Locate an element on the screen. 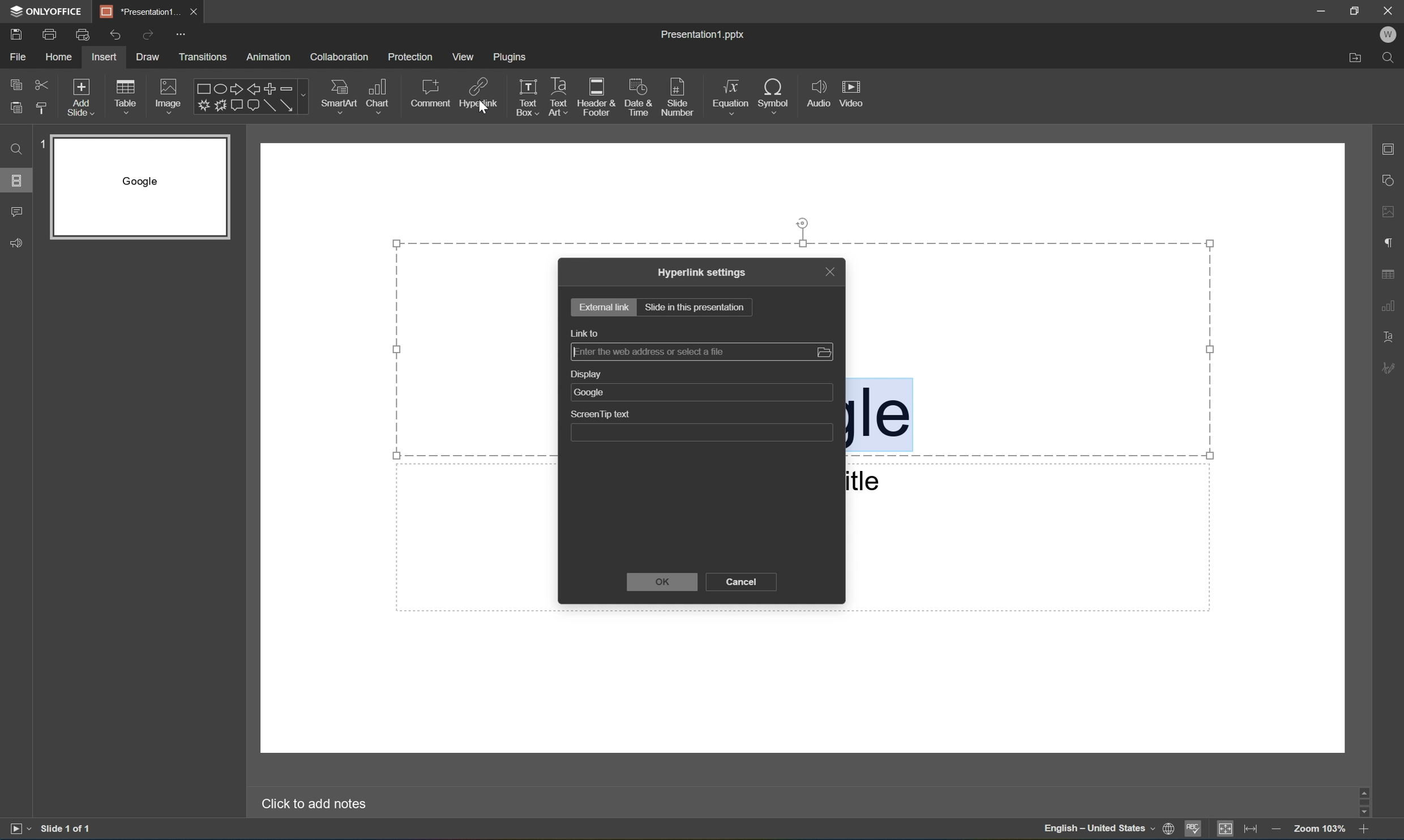  External link is located at coordinates (605, 306).